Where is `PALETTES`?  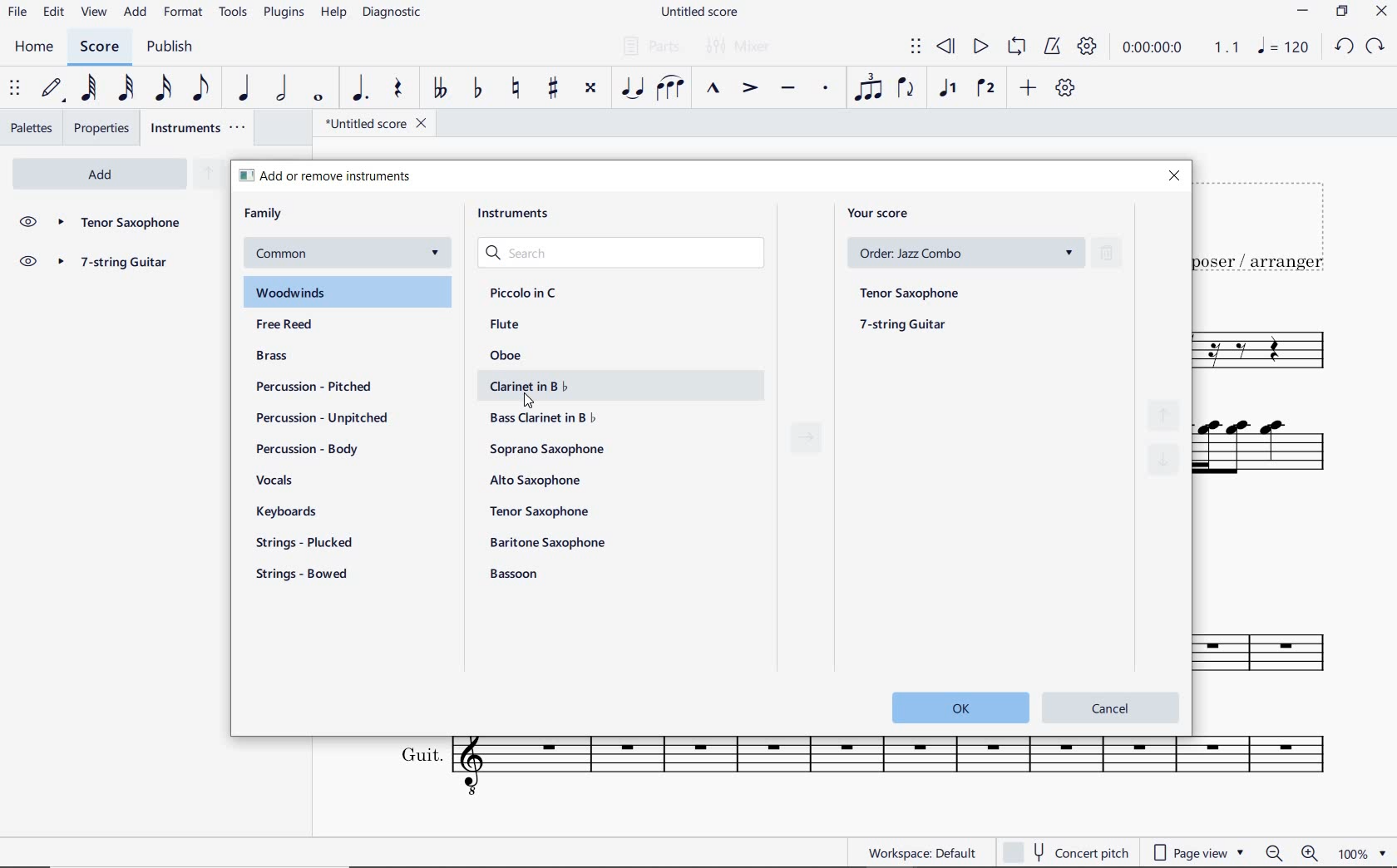
PALETTES is located at coordinates (31, 126).